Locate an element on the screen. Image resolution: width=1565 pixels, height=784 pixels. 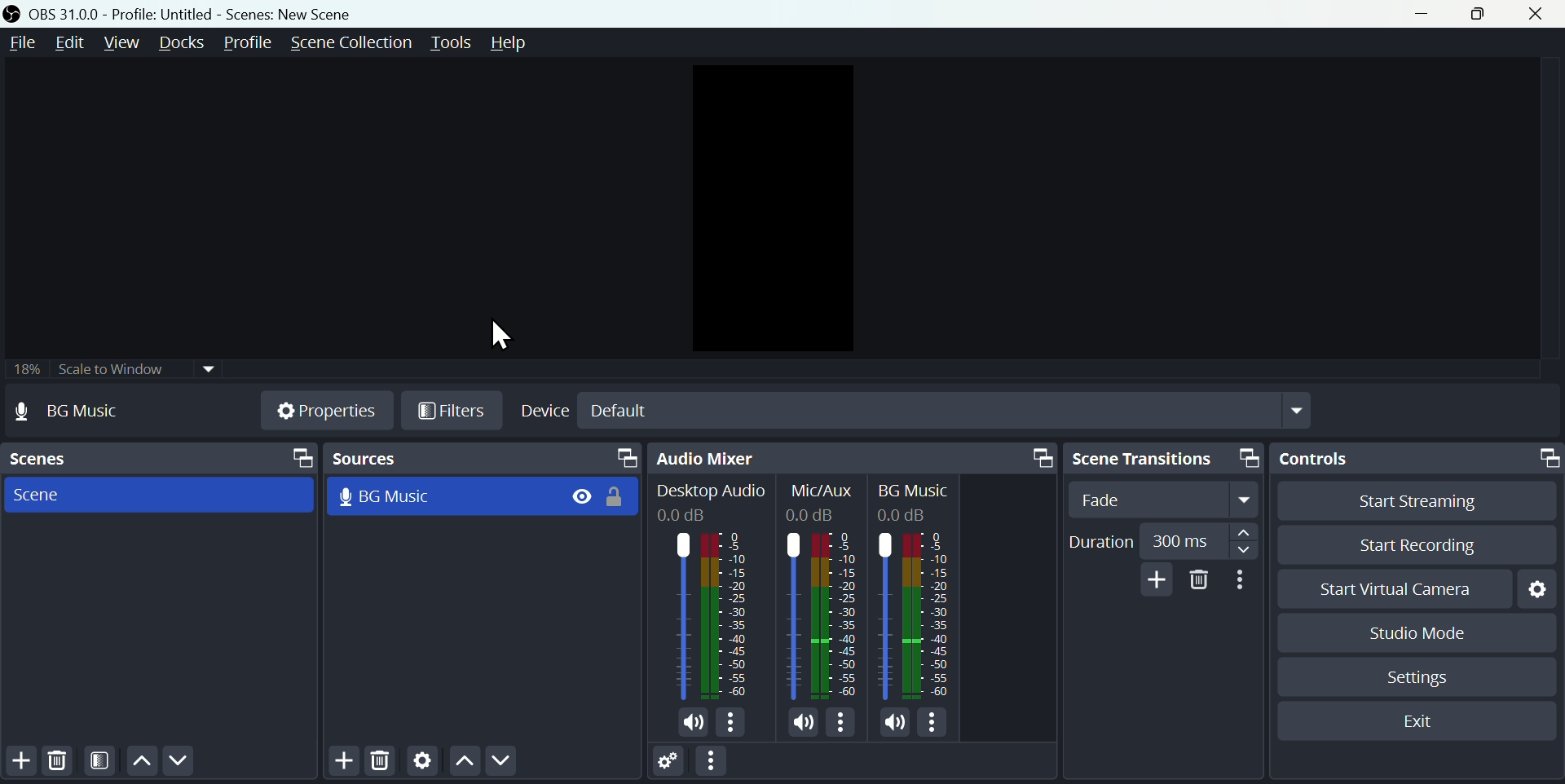
Sound is located at coordinates (895, 721).